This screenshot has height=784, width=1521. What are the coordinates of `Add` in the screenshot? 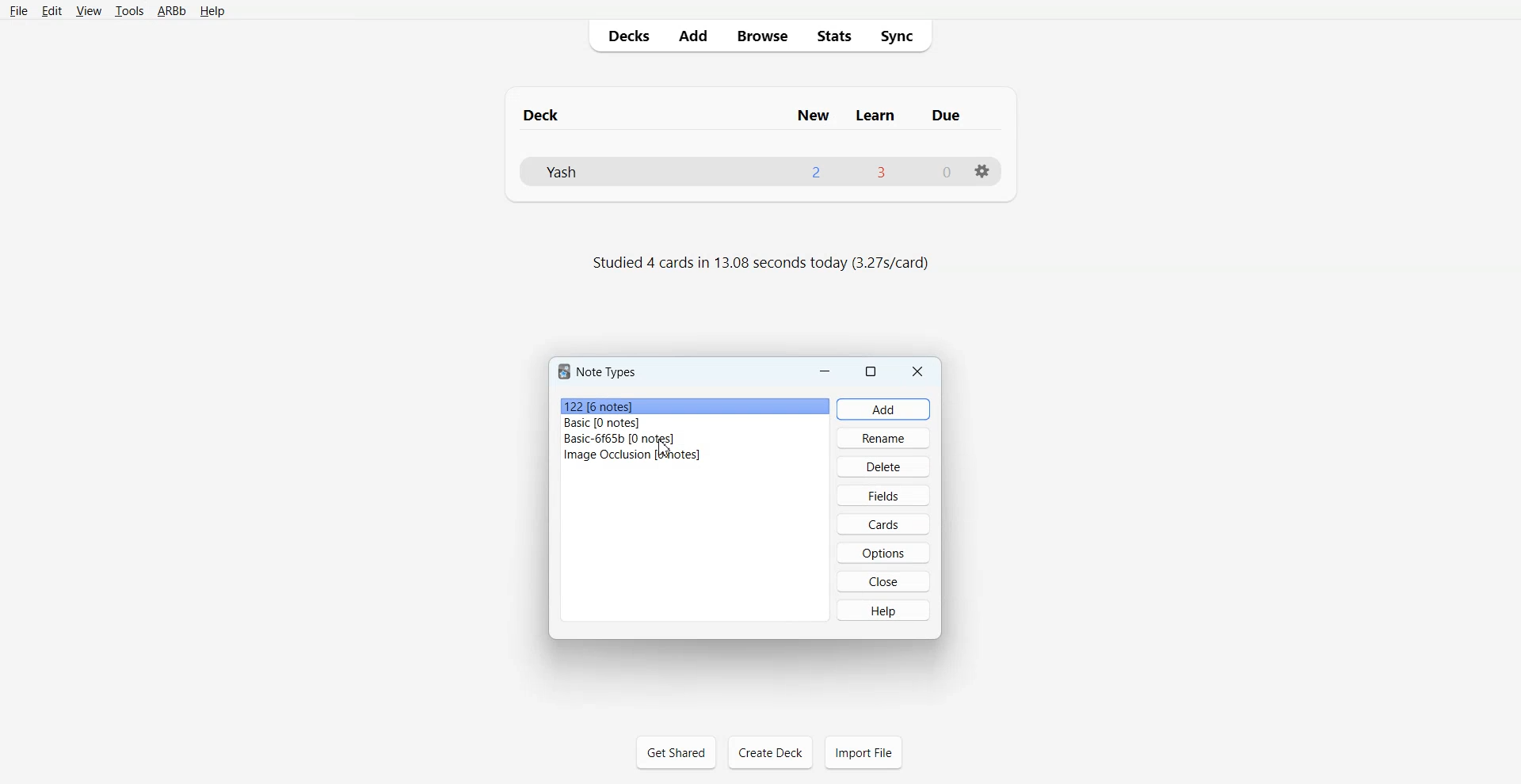 It's located at (884, 409).